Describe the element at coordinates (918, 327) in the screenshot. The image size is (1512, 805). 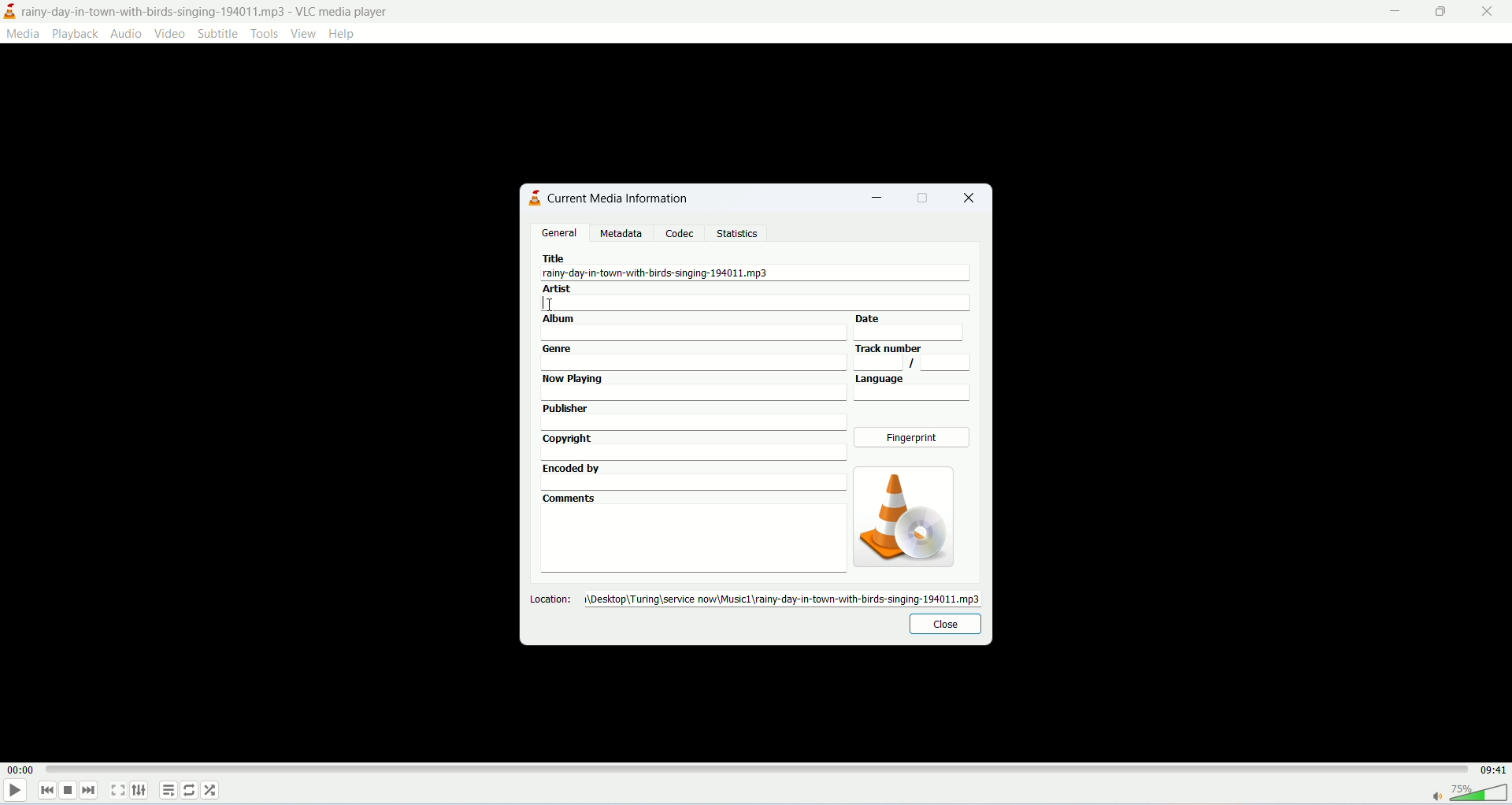
I see `date` at that location.